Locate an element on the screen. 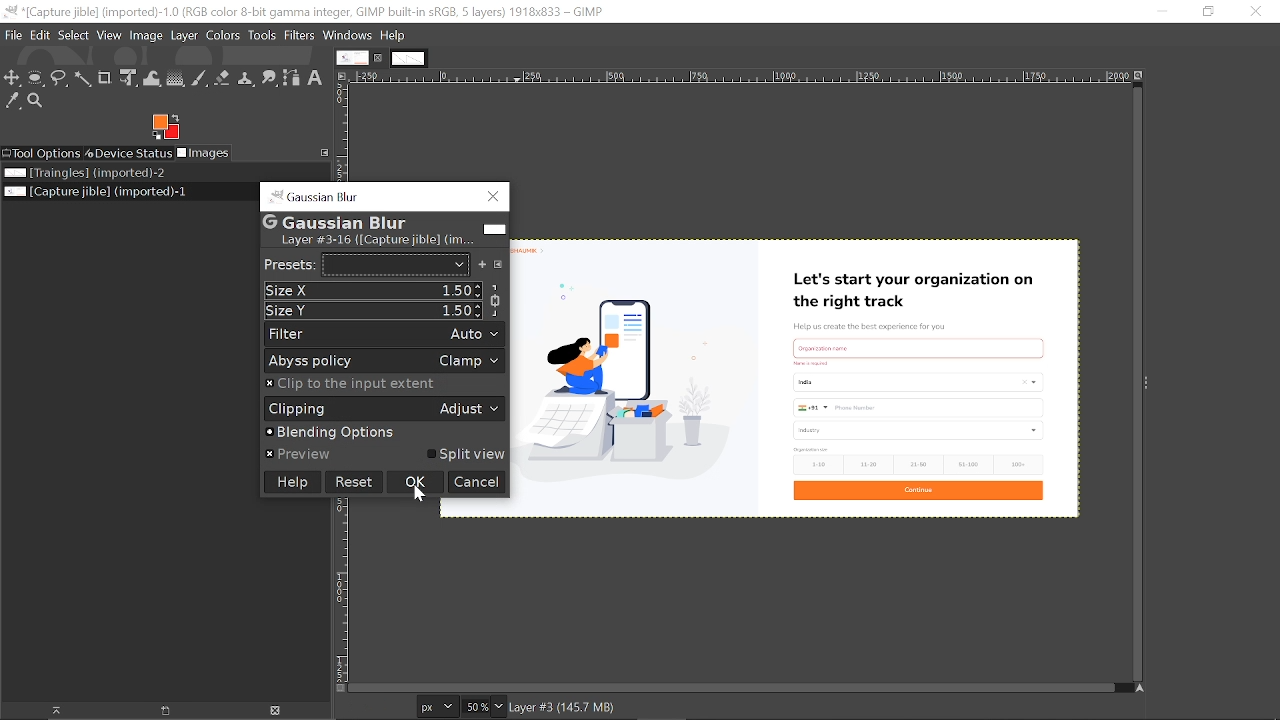 Image resolution: width=1280 pixels, height=720 pixels. Text is located at coordinates (289, 263).